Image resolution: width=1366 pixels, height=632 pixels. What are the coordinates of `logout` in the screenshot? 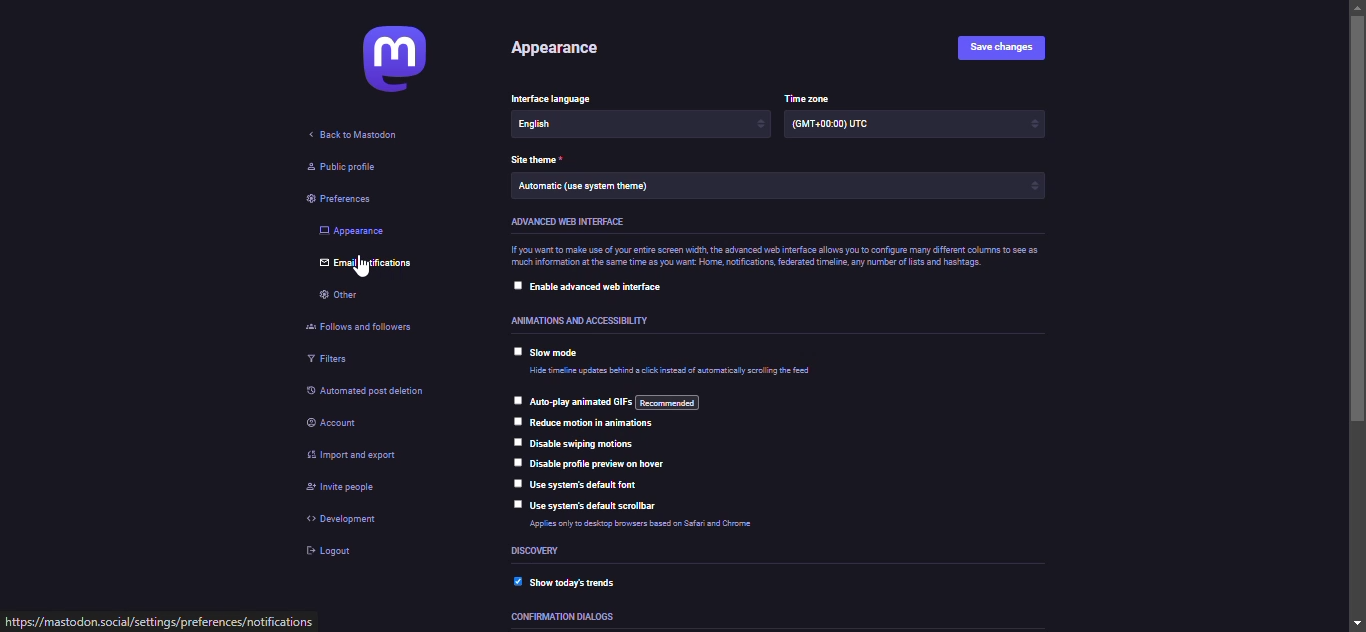 It's located at (329, 553).